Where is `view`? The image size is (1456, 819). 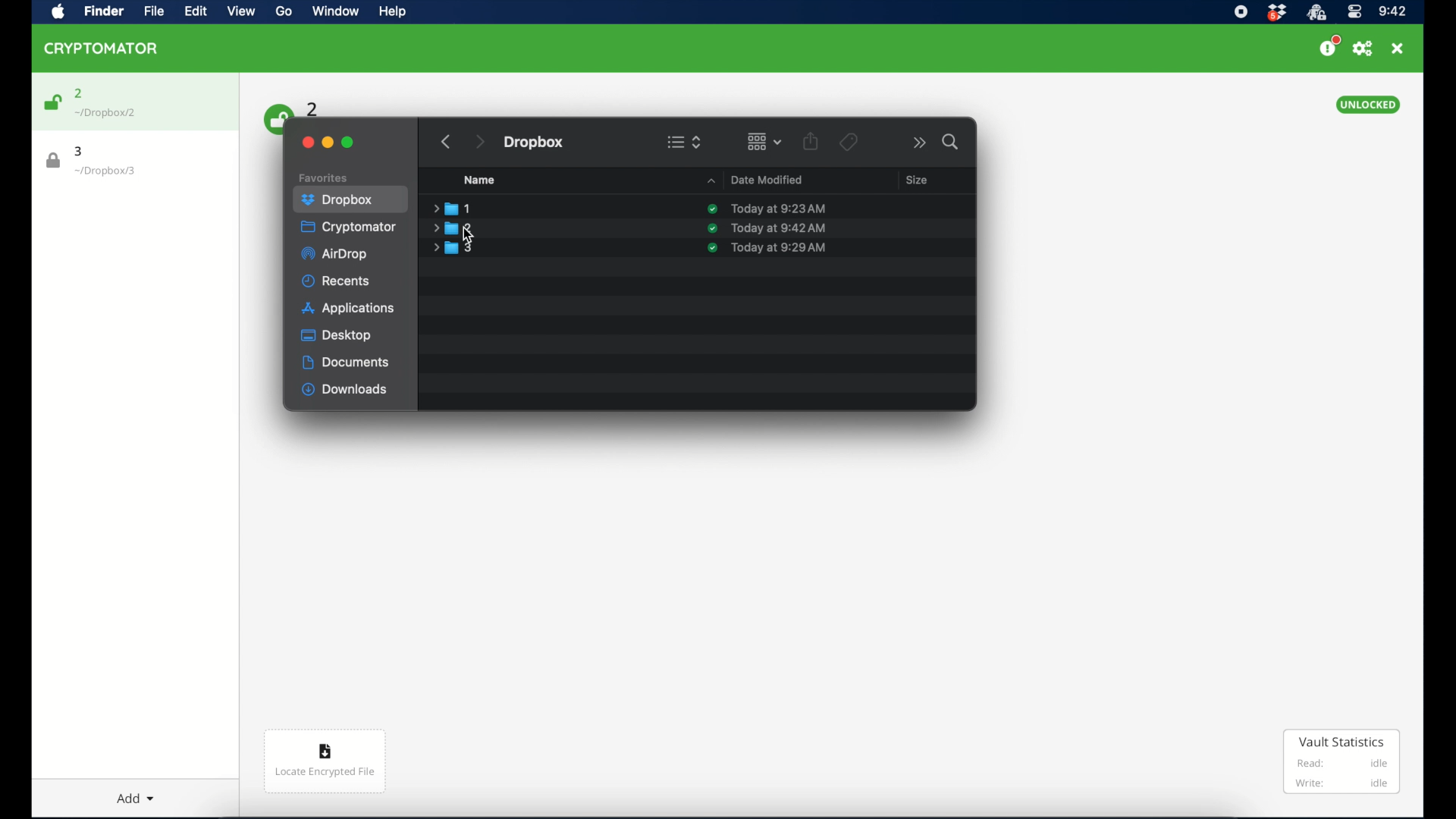 view is located at coordinates (241, 11).